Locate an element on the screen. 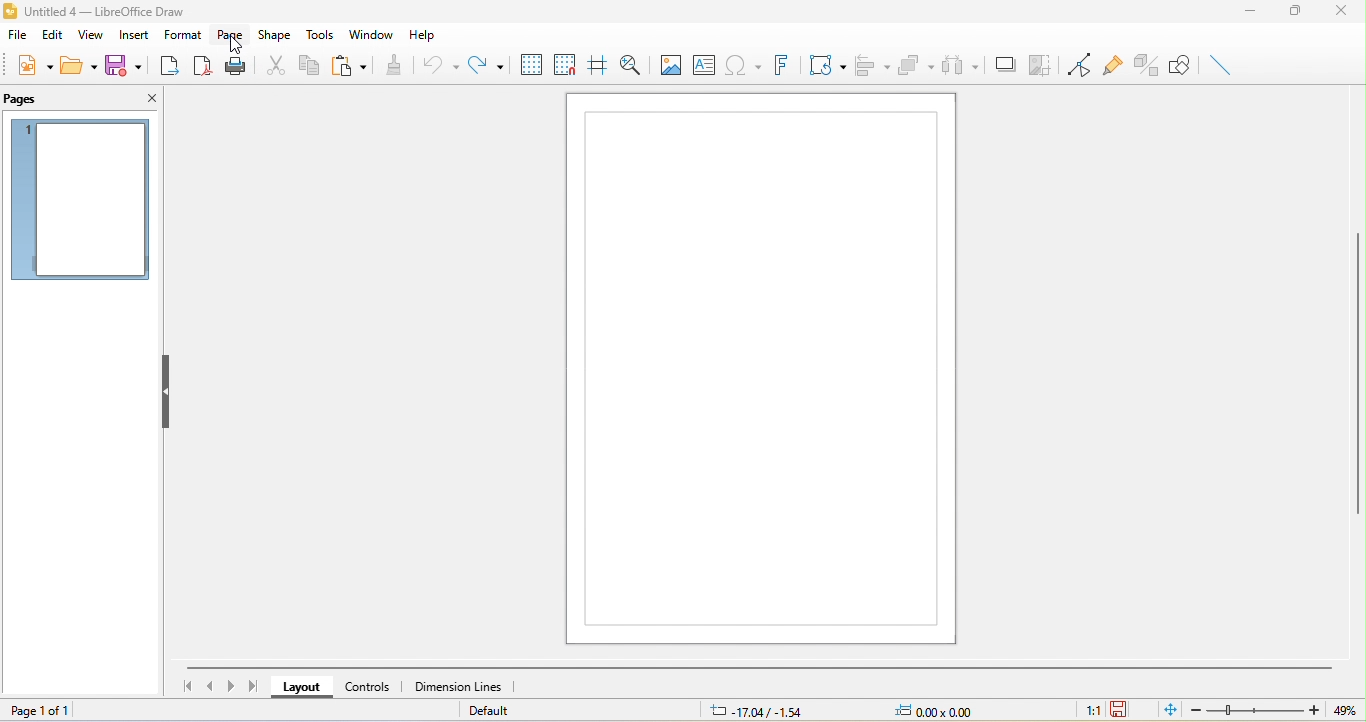 The image size is (1366, 722). view is located at coordinates (94, 36).